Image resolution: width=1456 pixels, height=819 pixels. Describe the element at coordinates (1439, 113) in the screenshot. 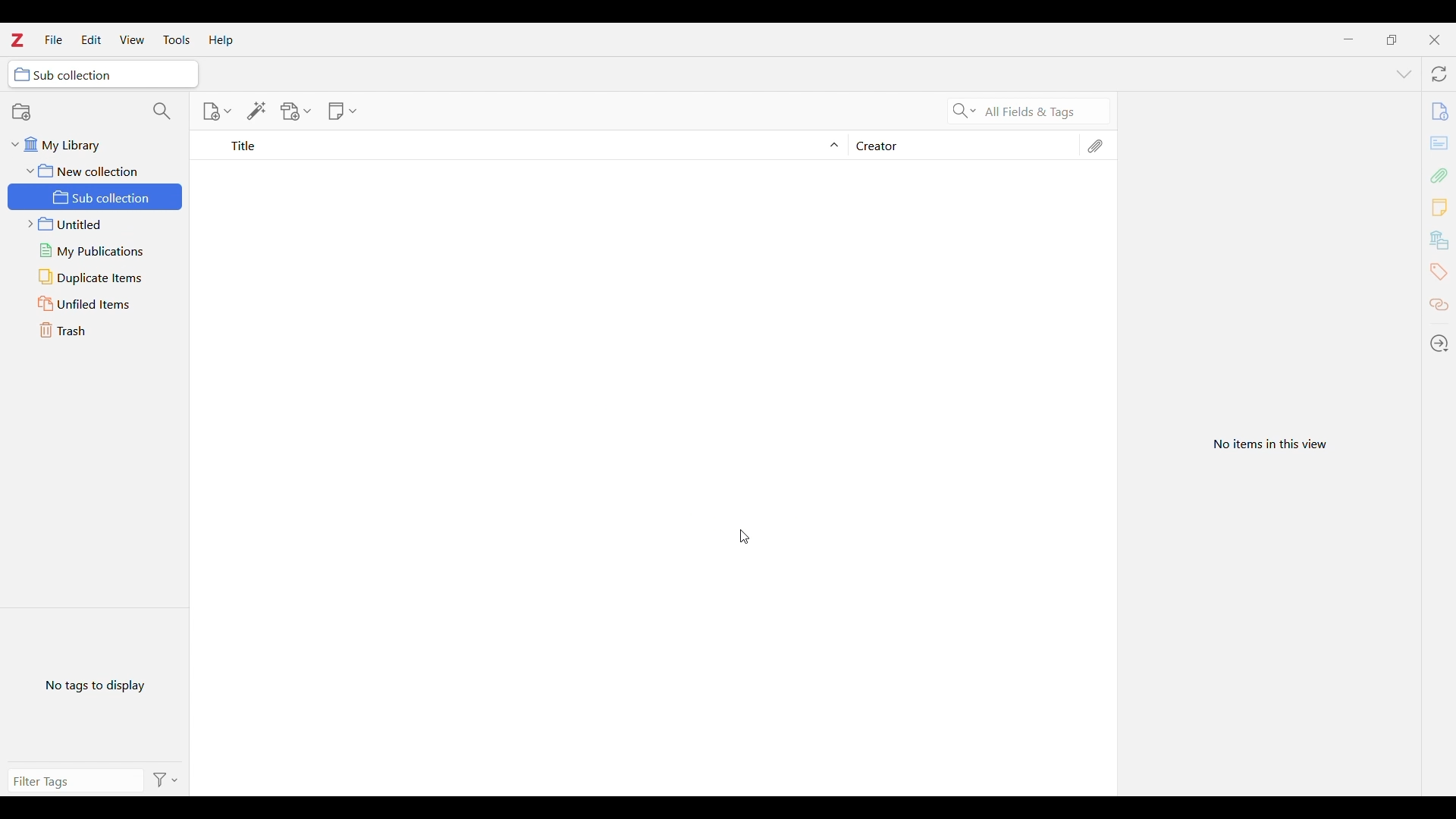

I see `file` at that location.